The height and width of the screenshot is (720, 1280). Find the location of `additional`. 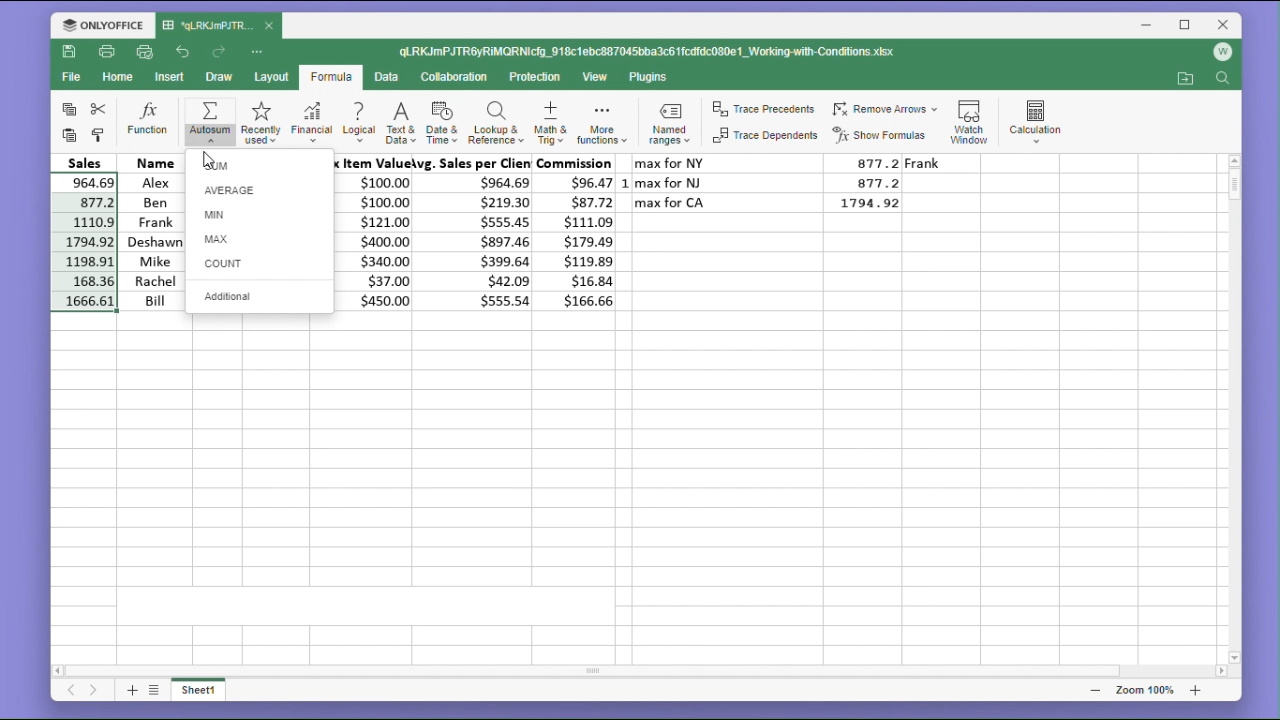

additional is located at coordinates (259, 297).